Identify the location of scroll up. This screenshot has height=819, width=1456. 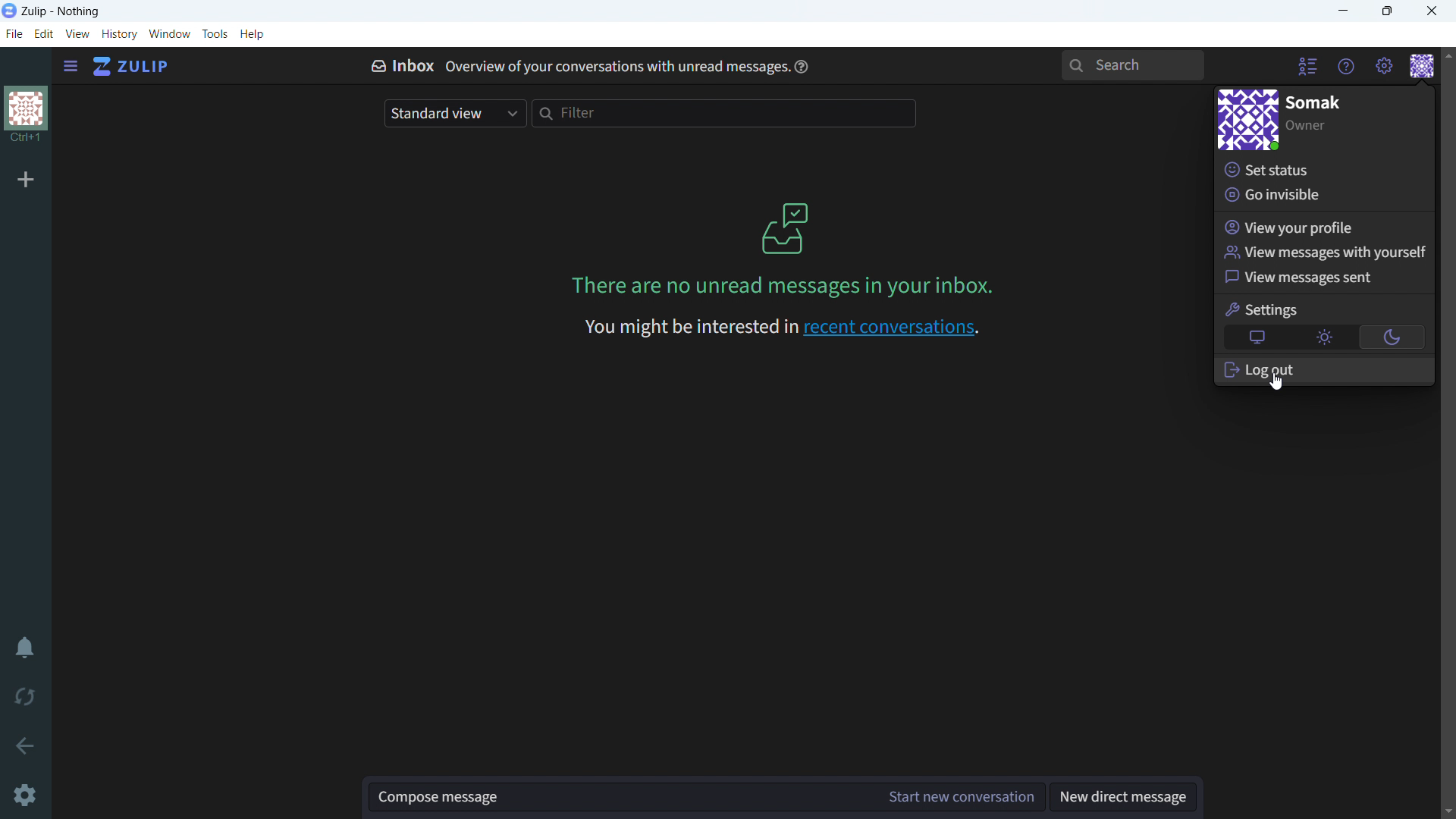
(1447, 54).